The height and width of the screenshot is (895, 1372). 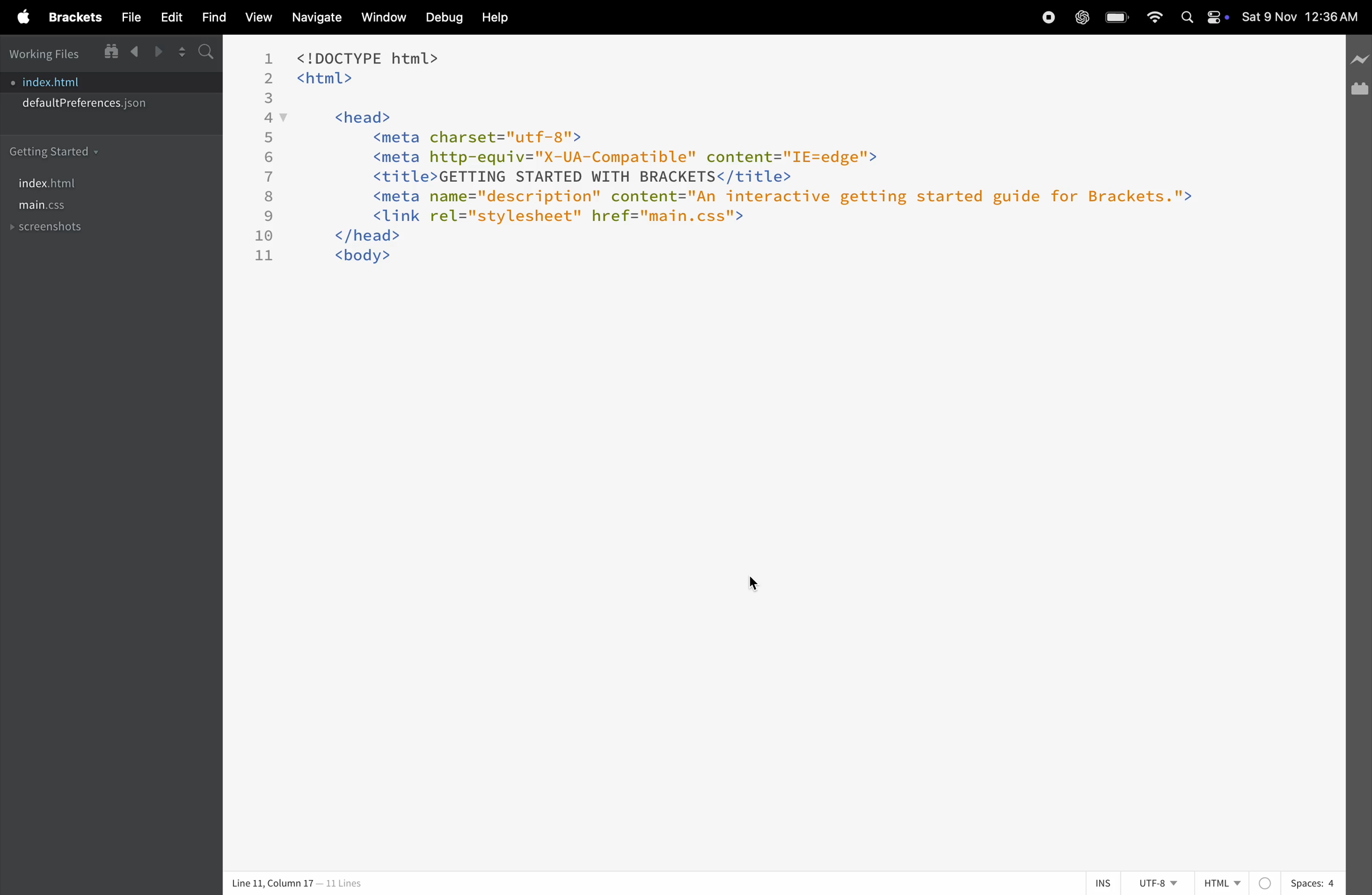 I want to click on navigate, so click(x=321, y=20).